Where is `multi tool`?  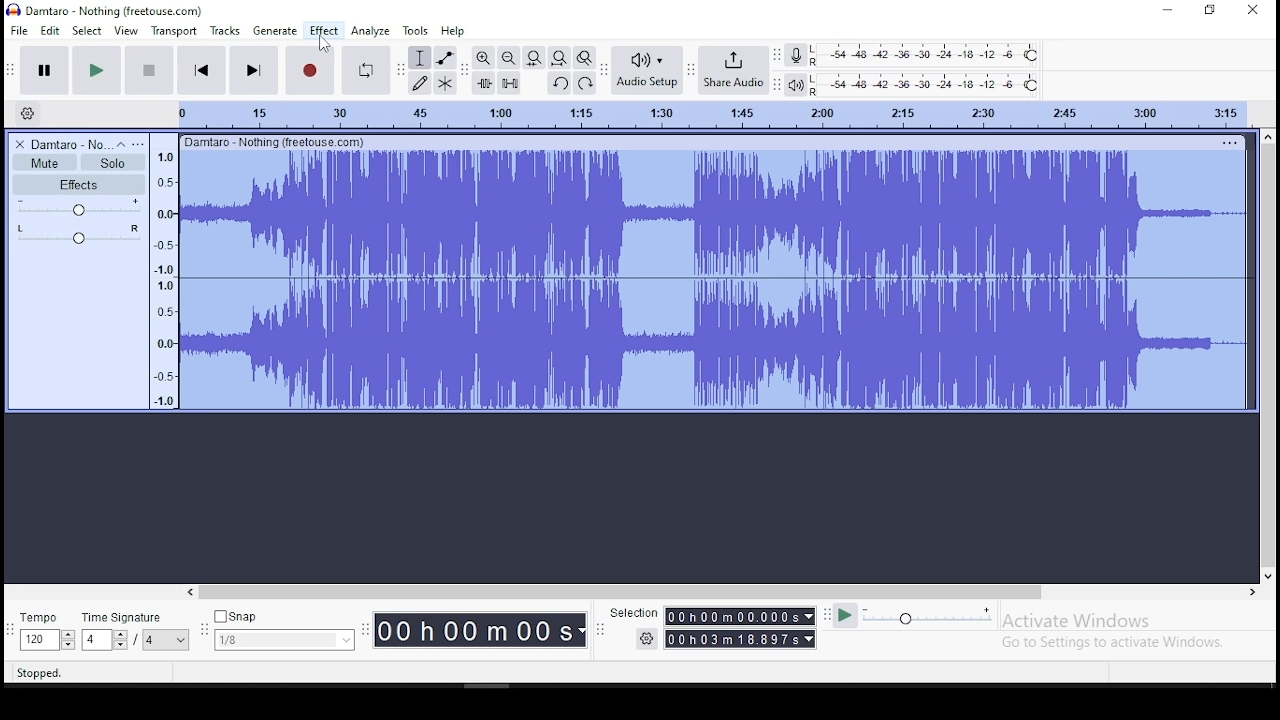 multi tool is located at coordinates (447, 82).